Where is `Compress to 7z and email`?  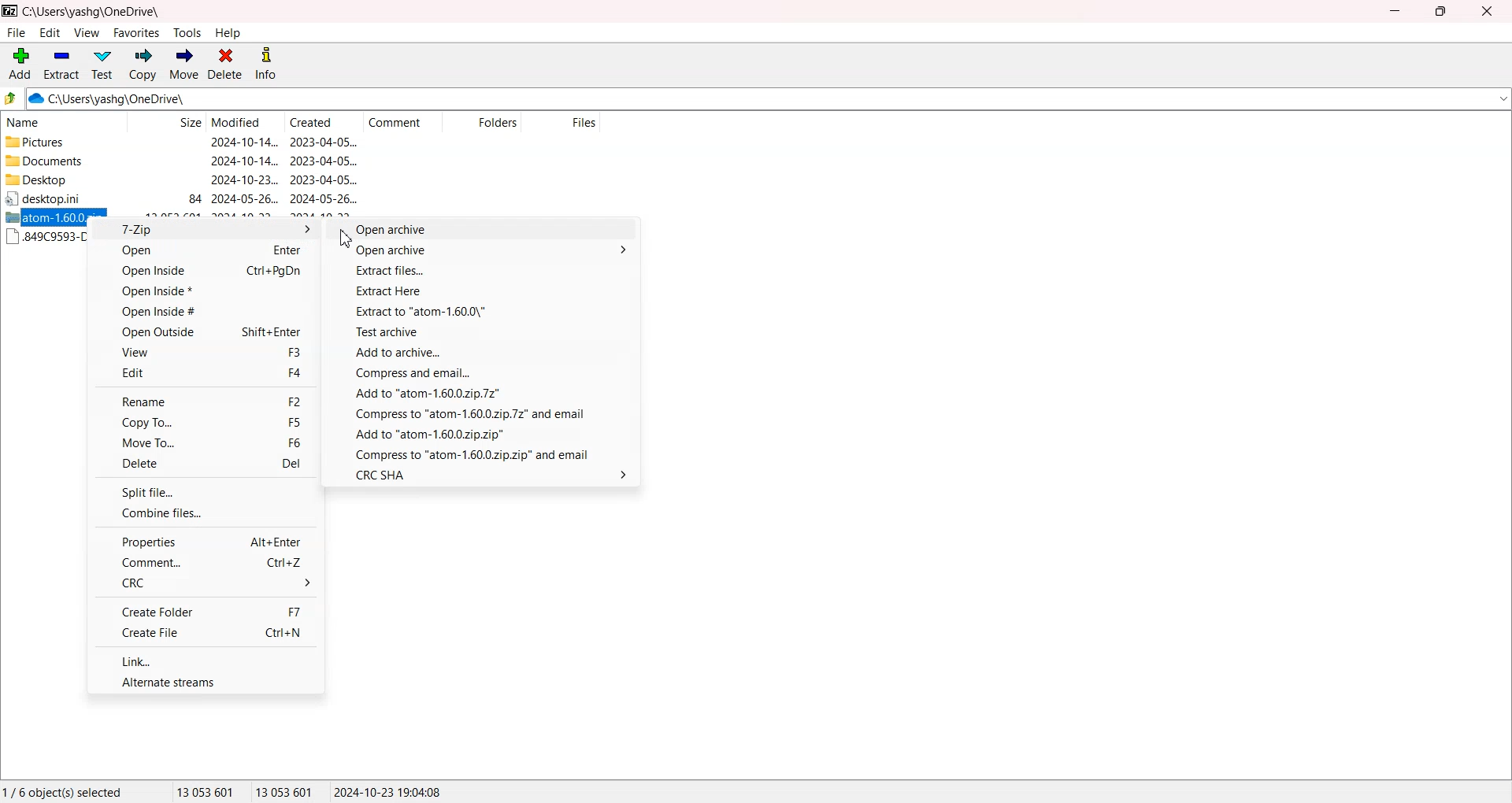 Compress to 7z and email is located at coordinates (483, 415).